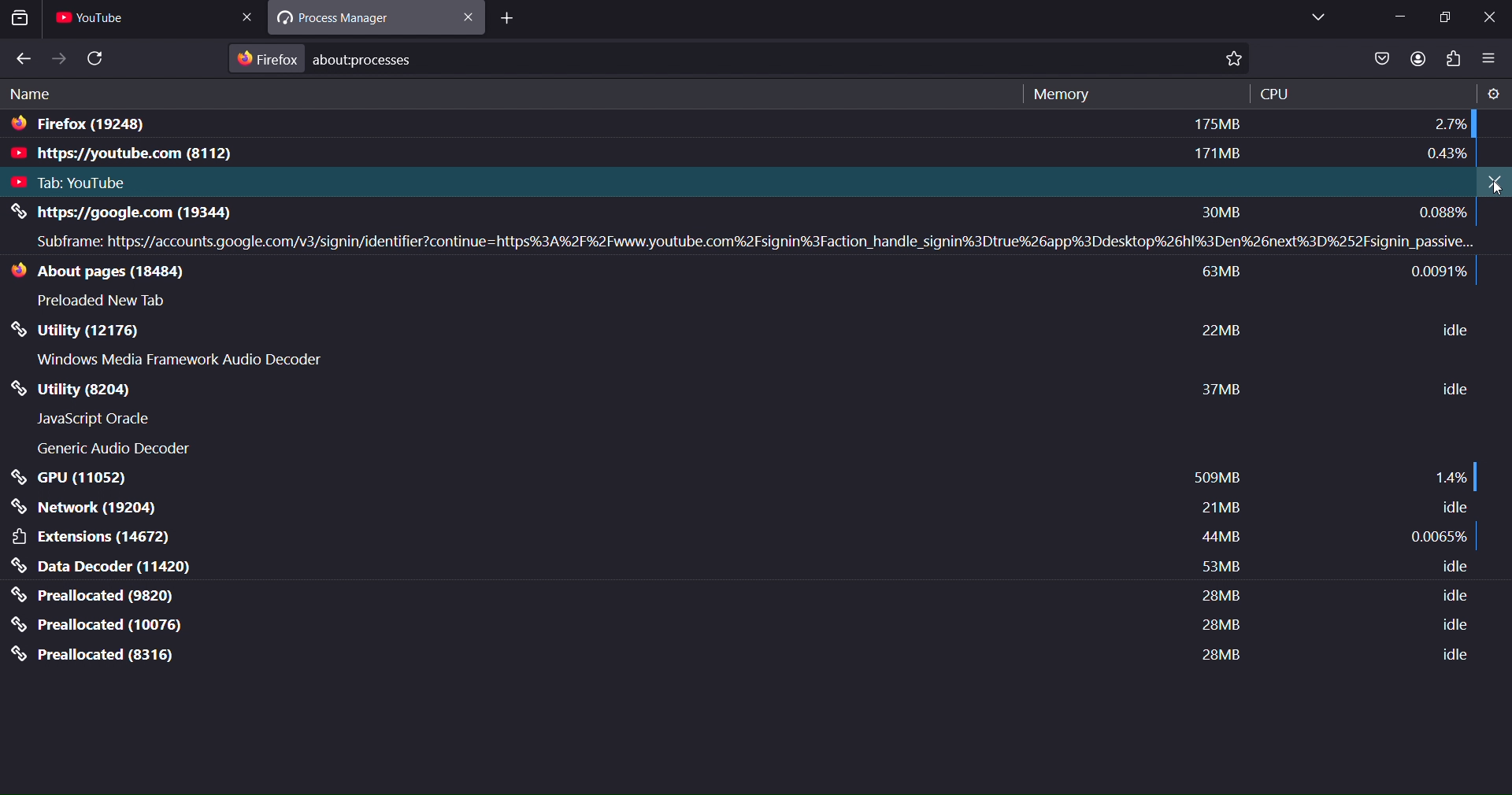 This screenshot has height=795, width=1512. Describe the element at coordinates (1228, 274) in the screenshot. I see `63 MB` at that location.